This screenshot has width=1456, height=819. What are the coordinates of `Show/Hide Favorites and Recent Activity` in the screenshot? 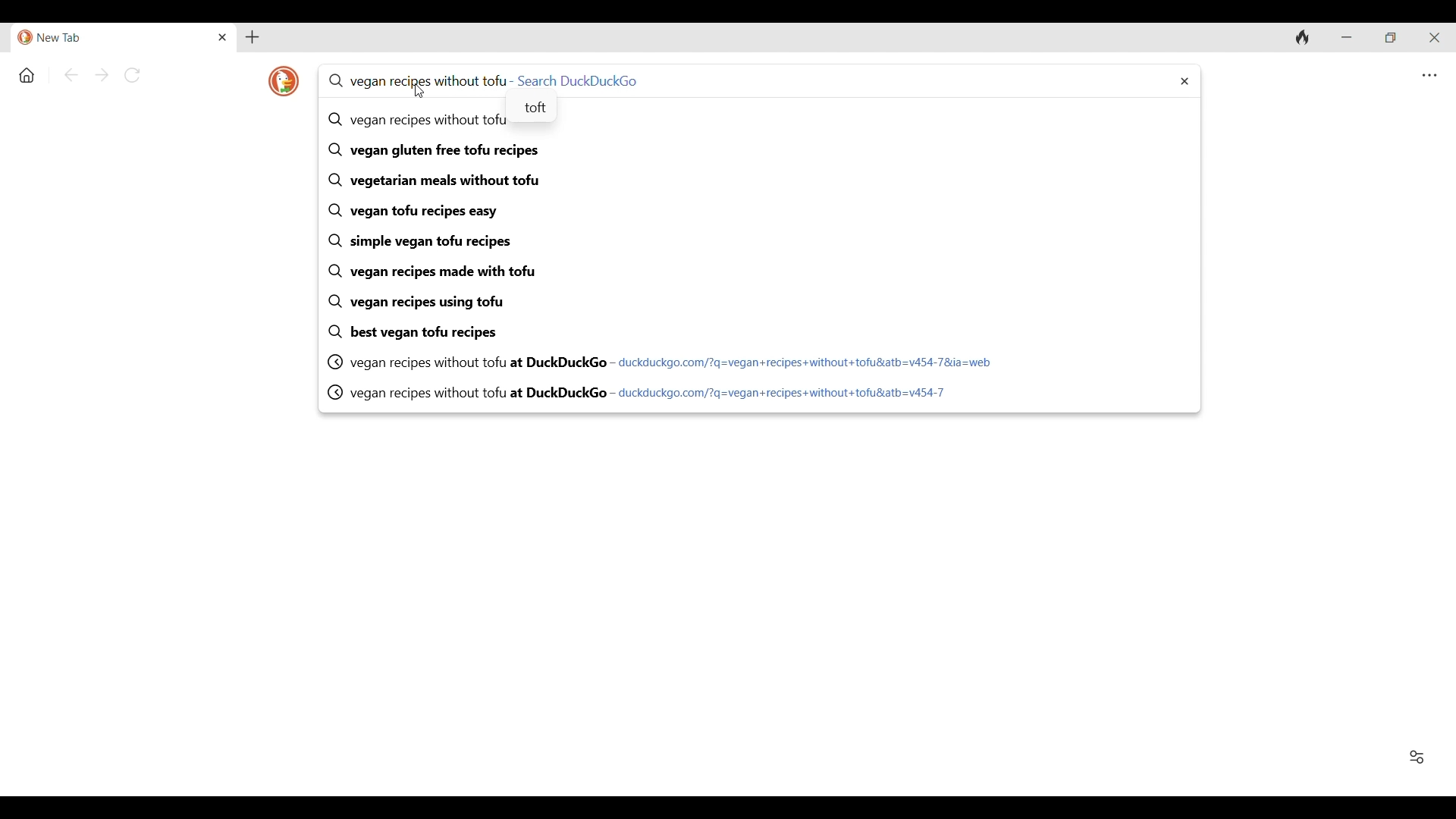 It's located at (1417, 757).